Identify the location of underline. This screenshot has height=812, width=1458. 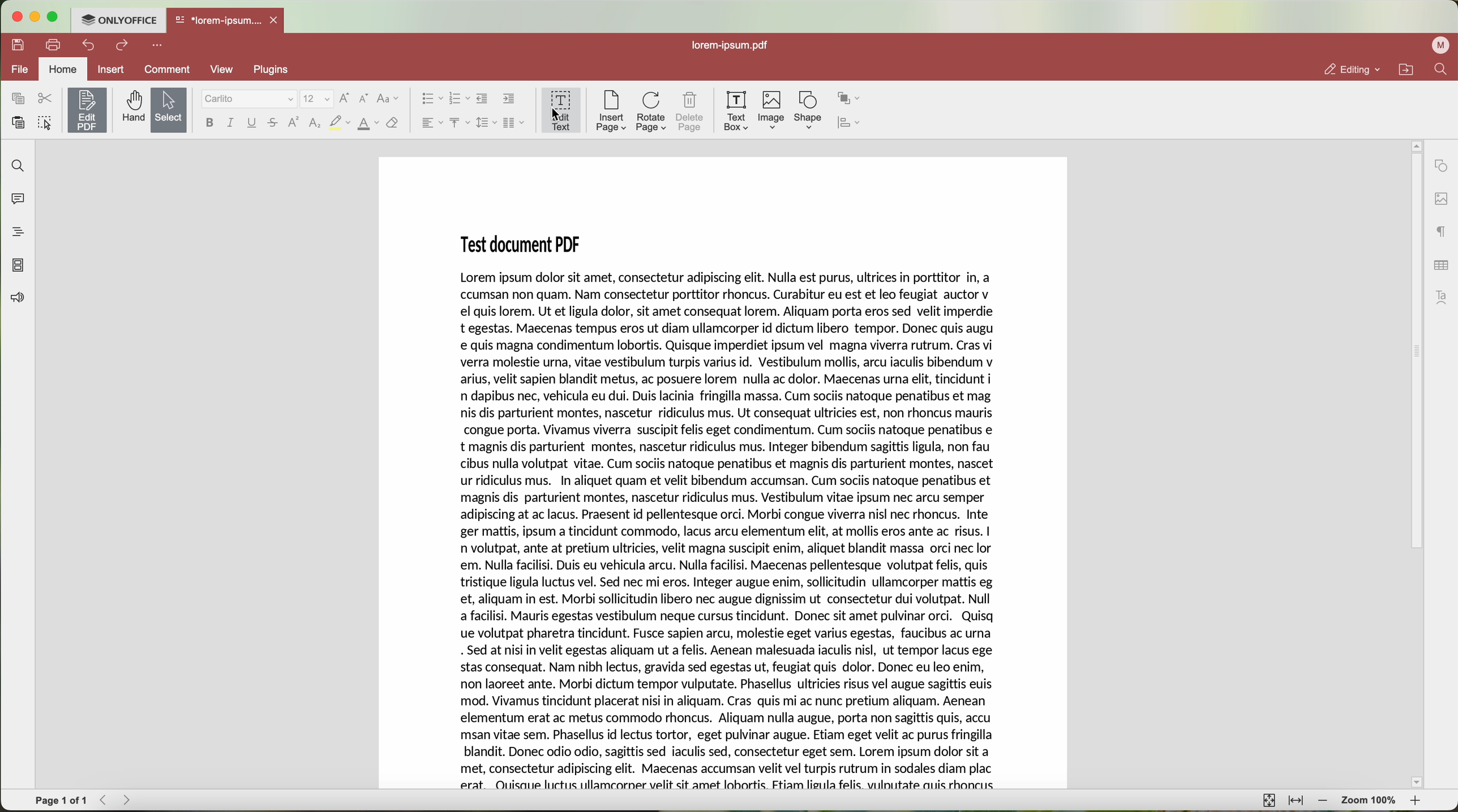
(254, 123).